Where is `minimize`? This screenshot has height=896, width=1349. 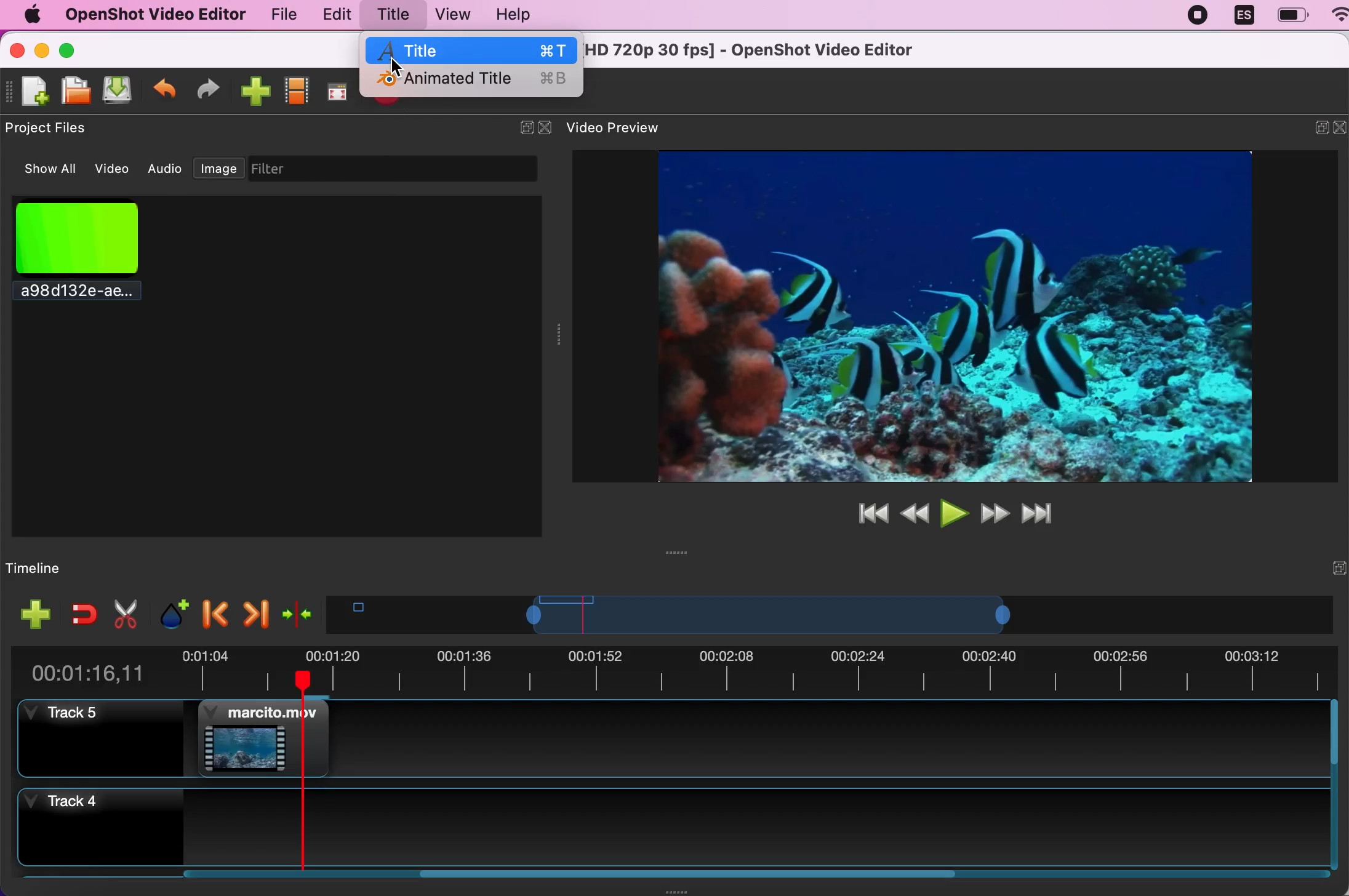 minimize is located at coordinates (1312, 130).